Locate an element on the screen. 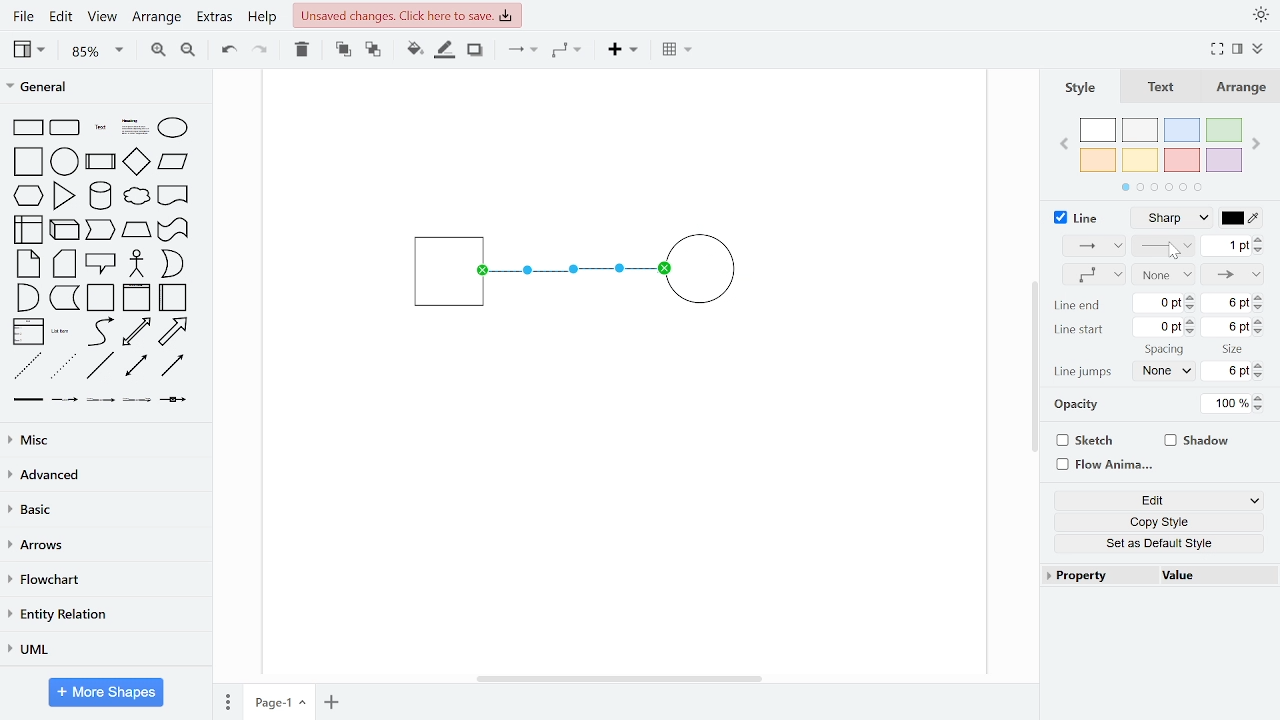 This screenshot has width=1280, height=720. line start is located at coordinates (1077, 329).